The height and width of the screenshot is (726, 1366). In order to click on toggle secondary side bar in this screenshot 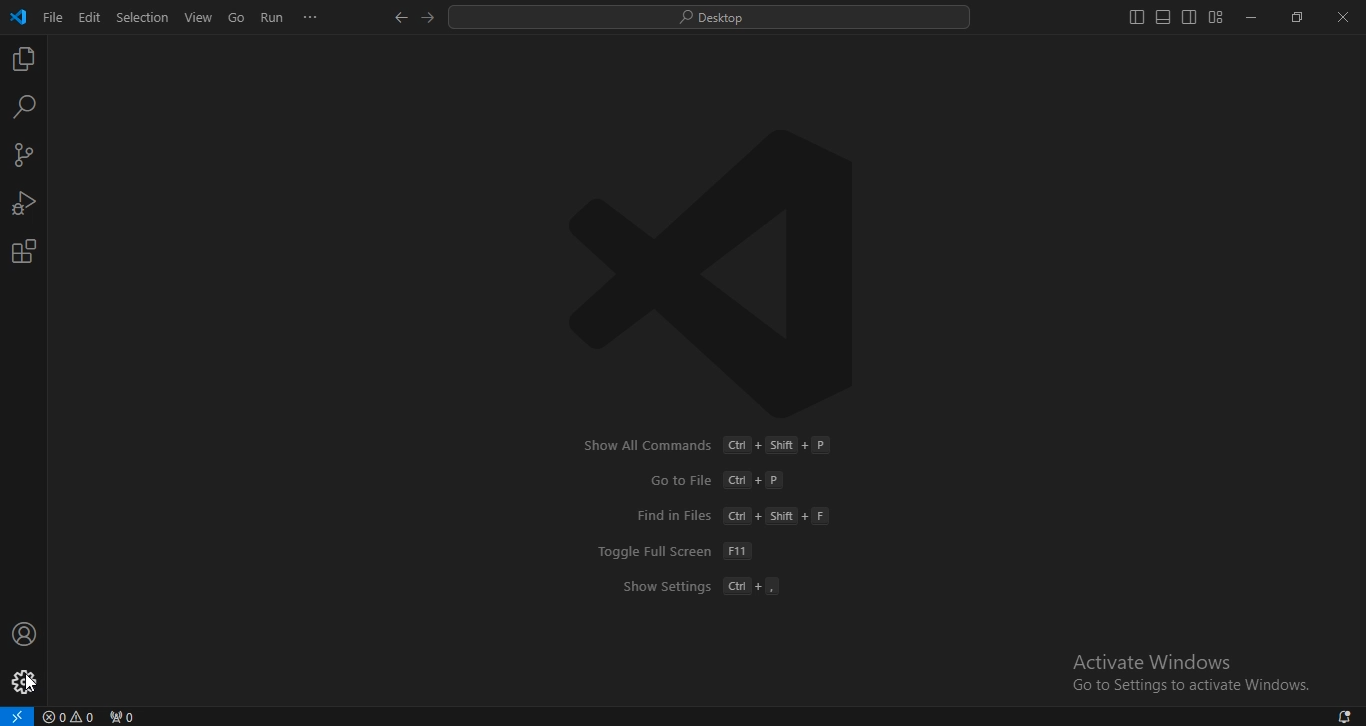, I will do `click(1189, 17)`.